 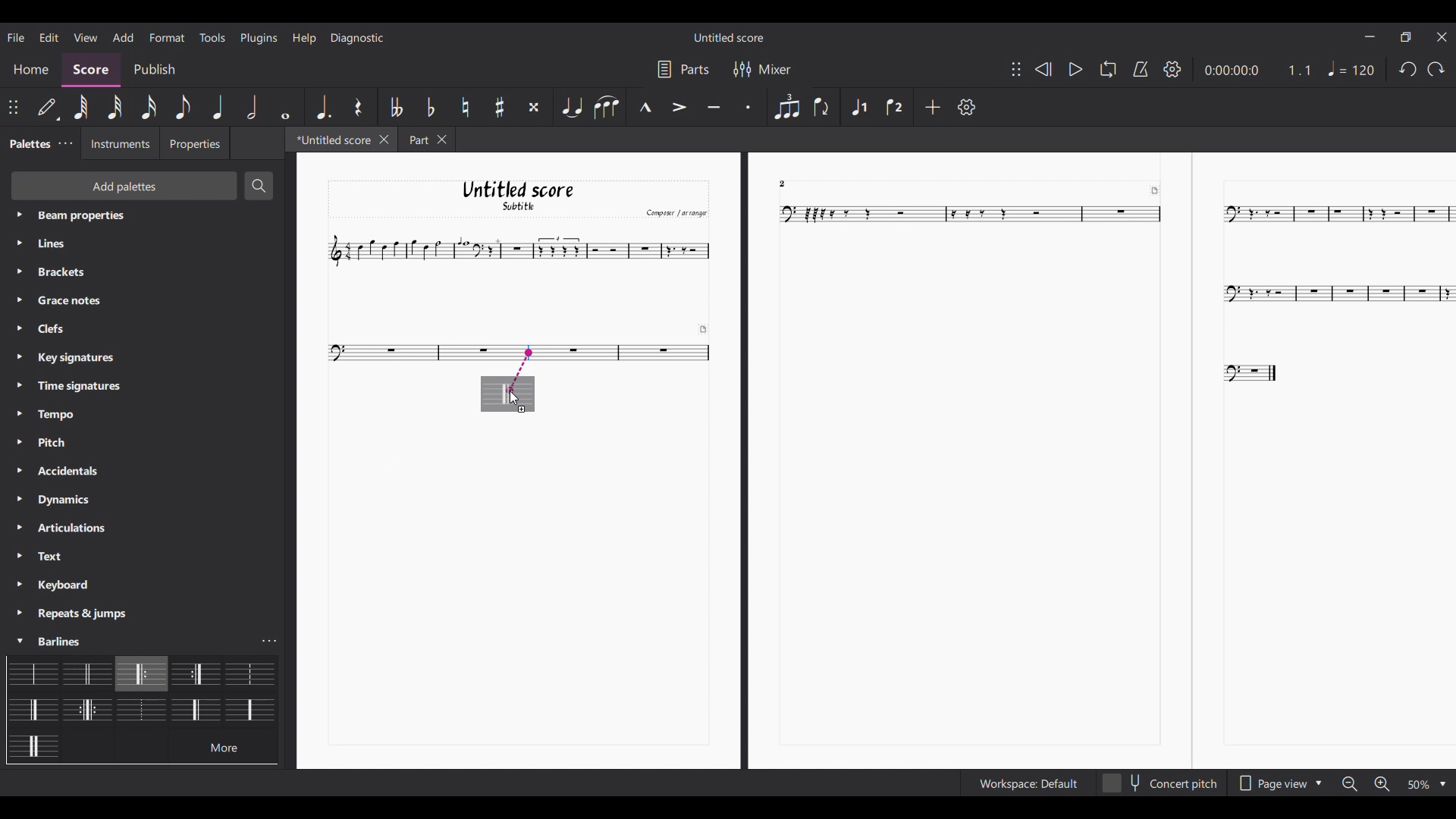 I want to click on Barline options, so click(x=247, y=673).